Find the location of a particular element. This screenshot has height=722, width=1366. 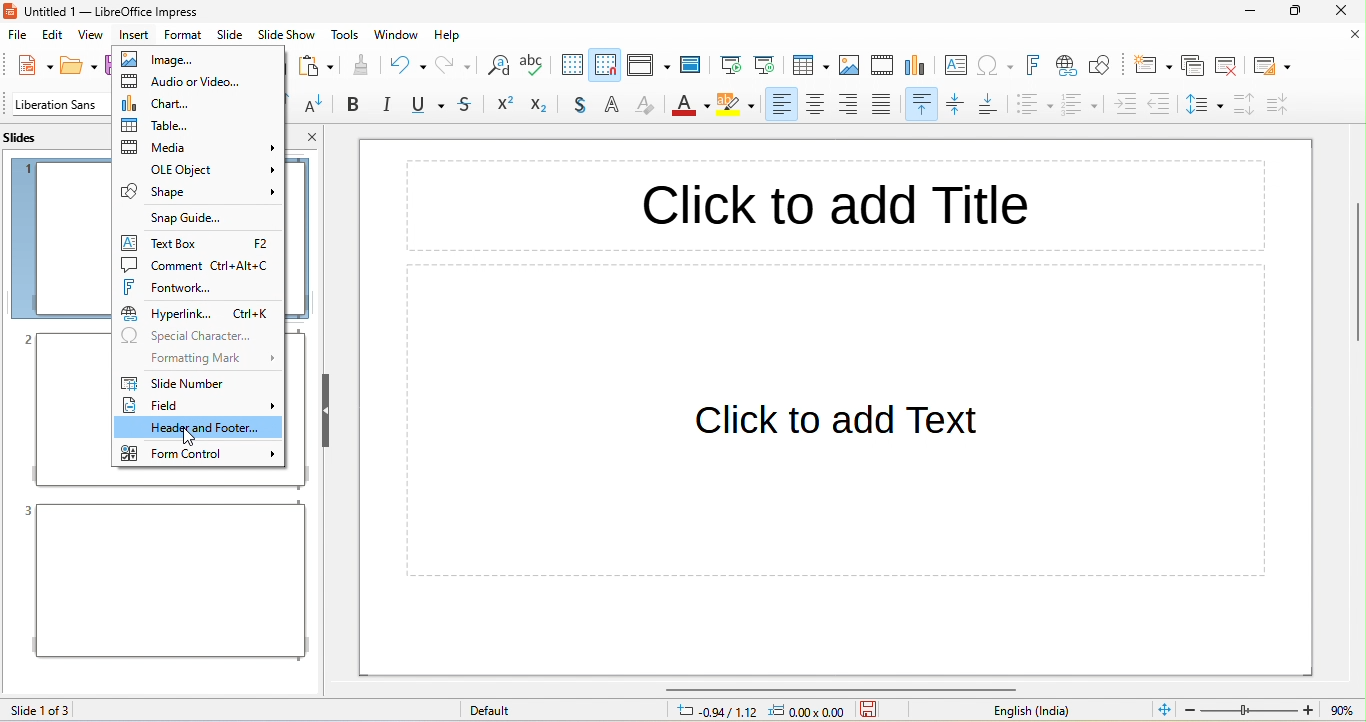

ole object is located at coordinates (211, 169).